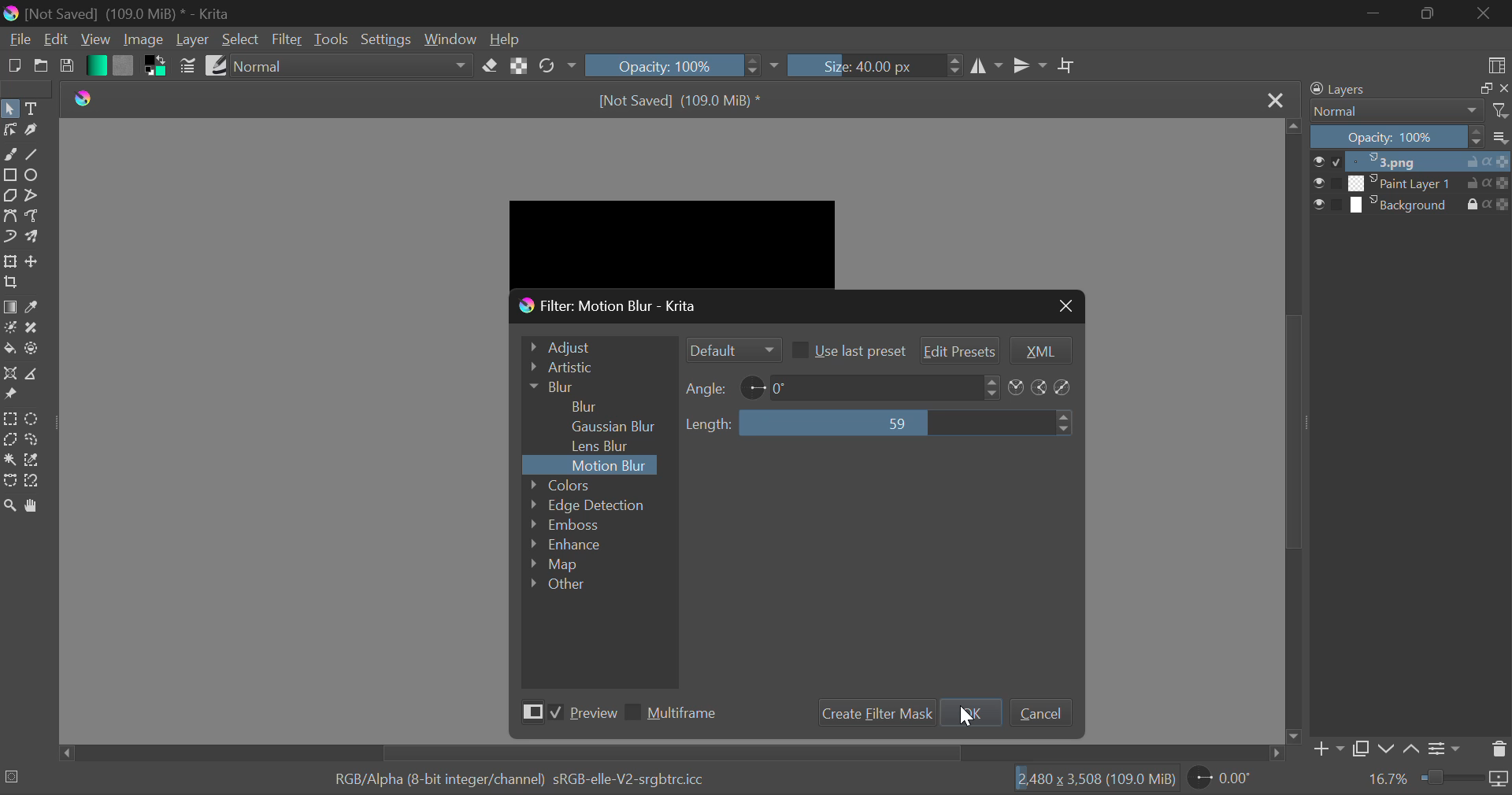 The width and height of the screenshot is (1512, 795). Describe the element at coordinates (1042, 388) in the screenshot. I see `Angle icons` at that location.